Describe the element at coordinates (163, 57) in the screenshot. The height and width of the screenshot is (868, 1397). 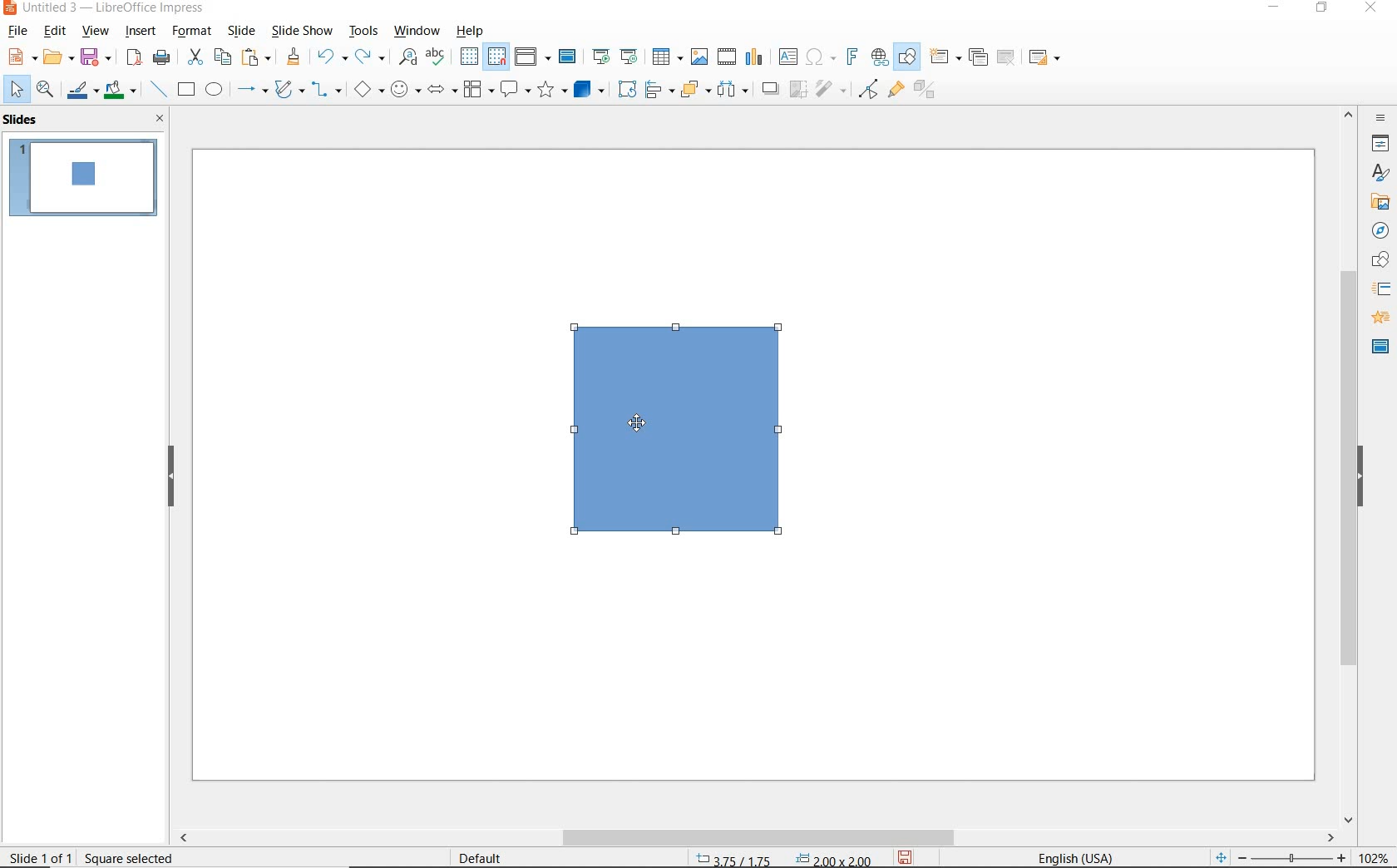
I see `print` at that location.